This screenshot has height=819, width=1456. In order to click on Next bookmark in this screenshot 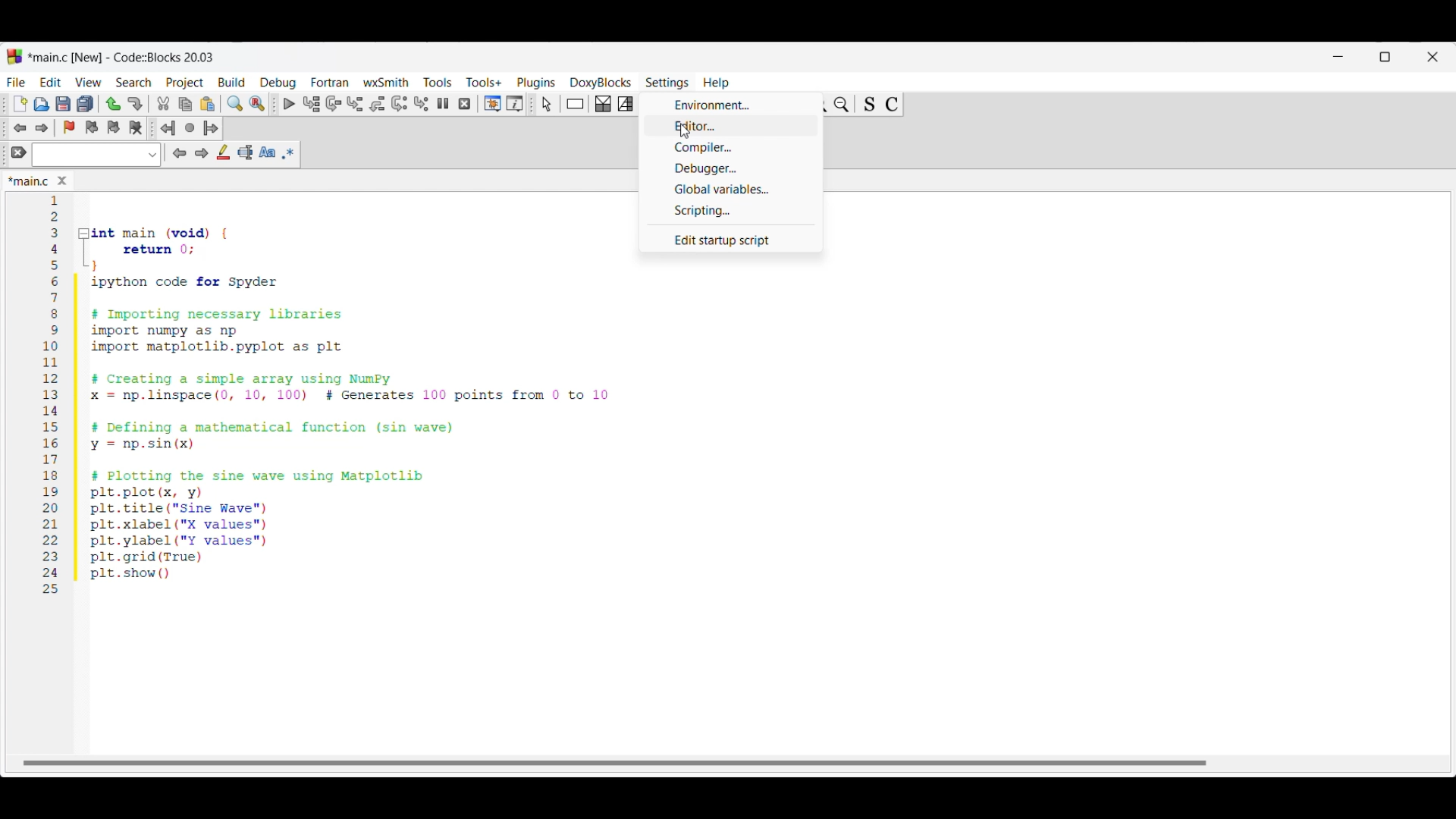, I will do `click(113, 127)`.